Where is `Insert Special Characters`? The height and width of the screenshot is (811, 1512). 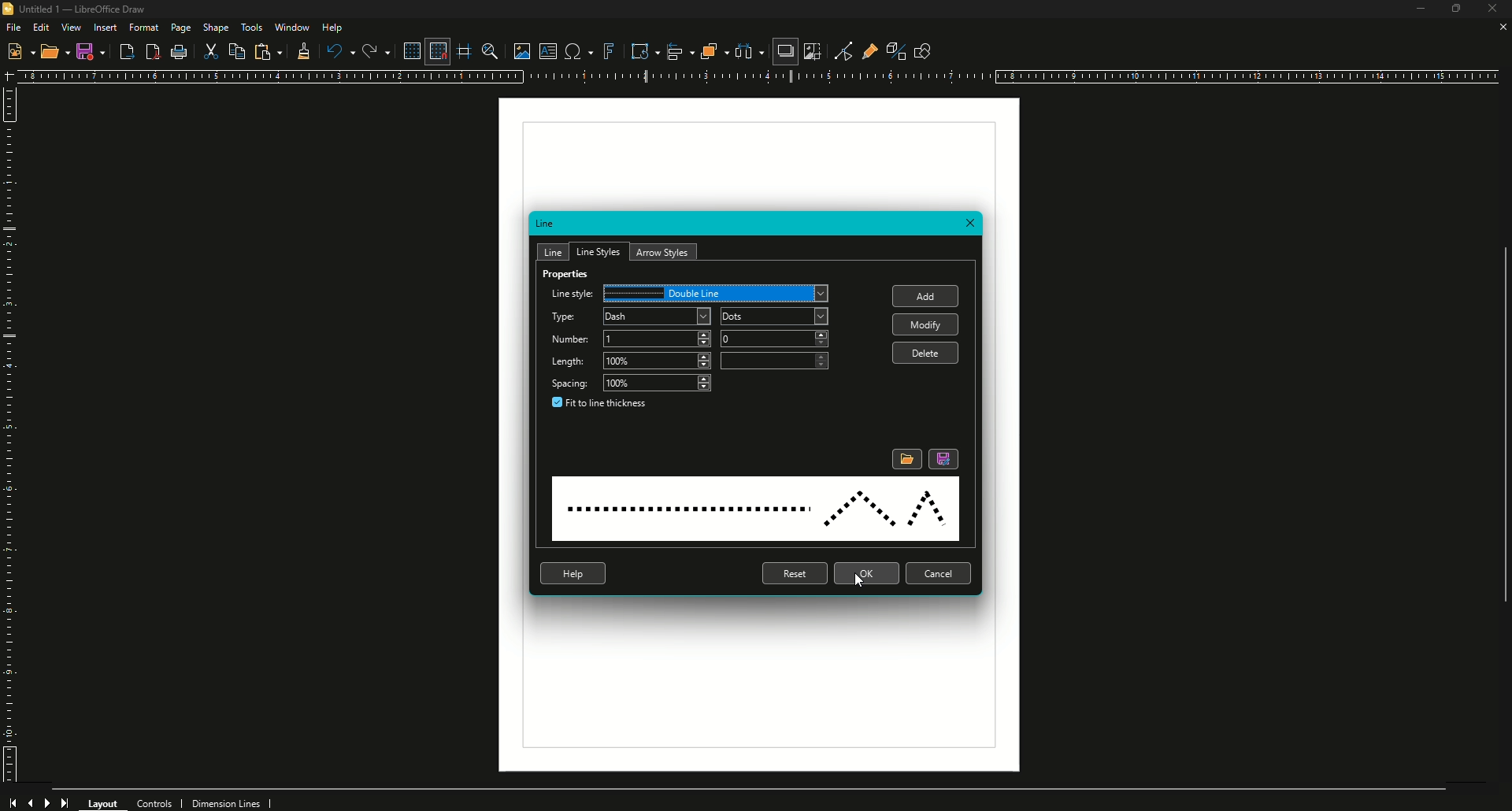
Insert Special Characters is located at coordinates (576, 51).